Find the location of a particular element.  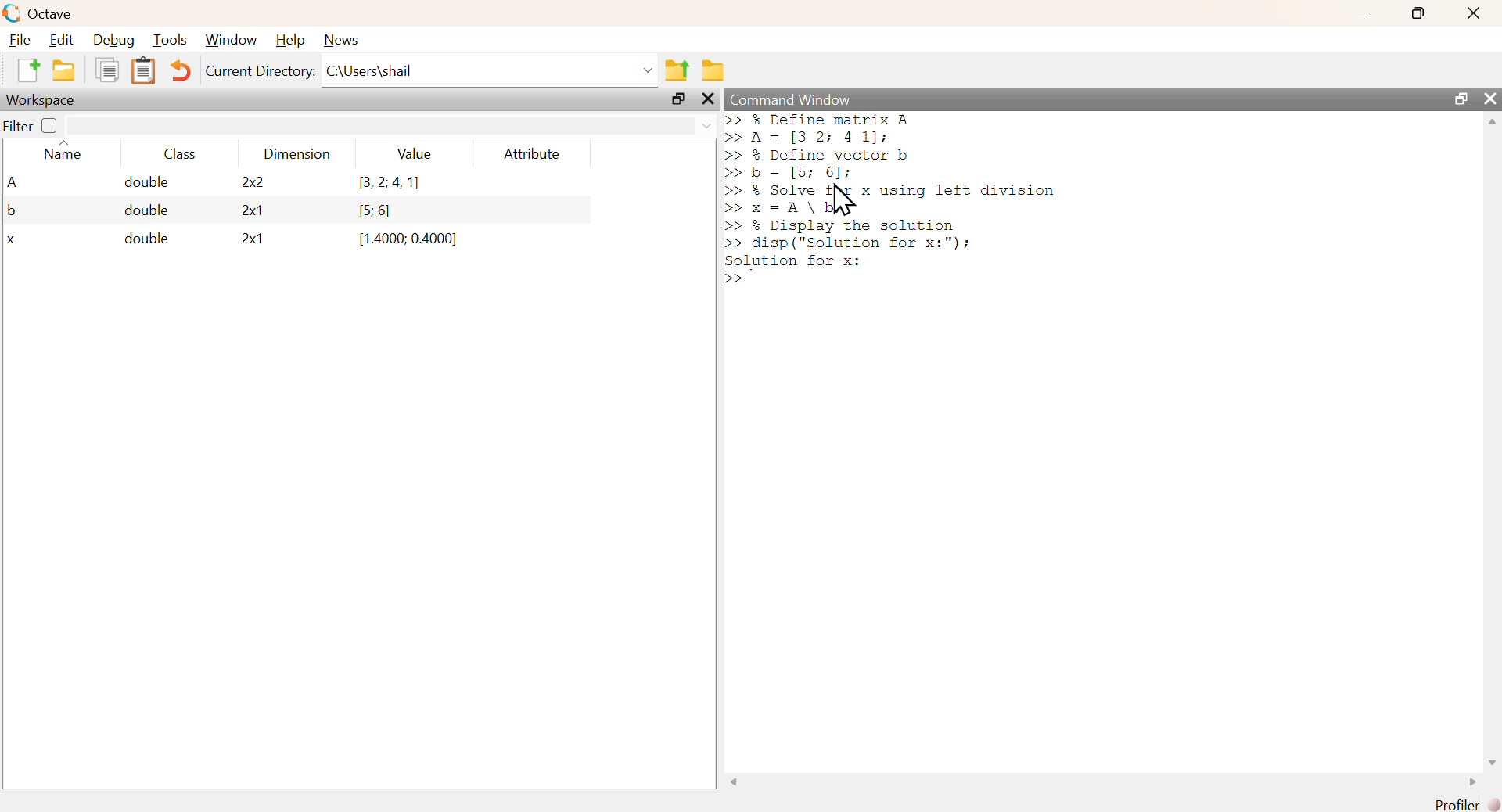

file is located at coordinates (21, 40).